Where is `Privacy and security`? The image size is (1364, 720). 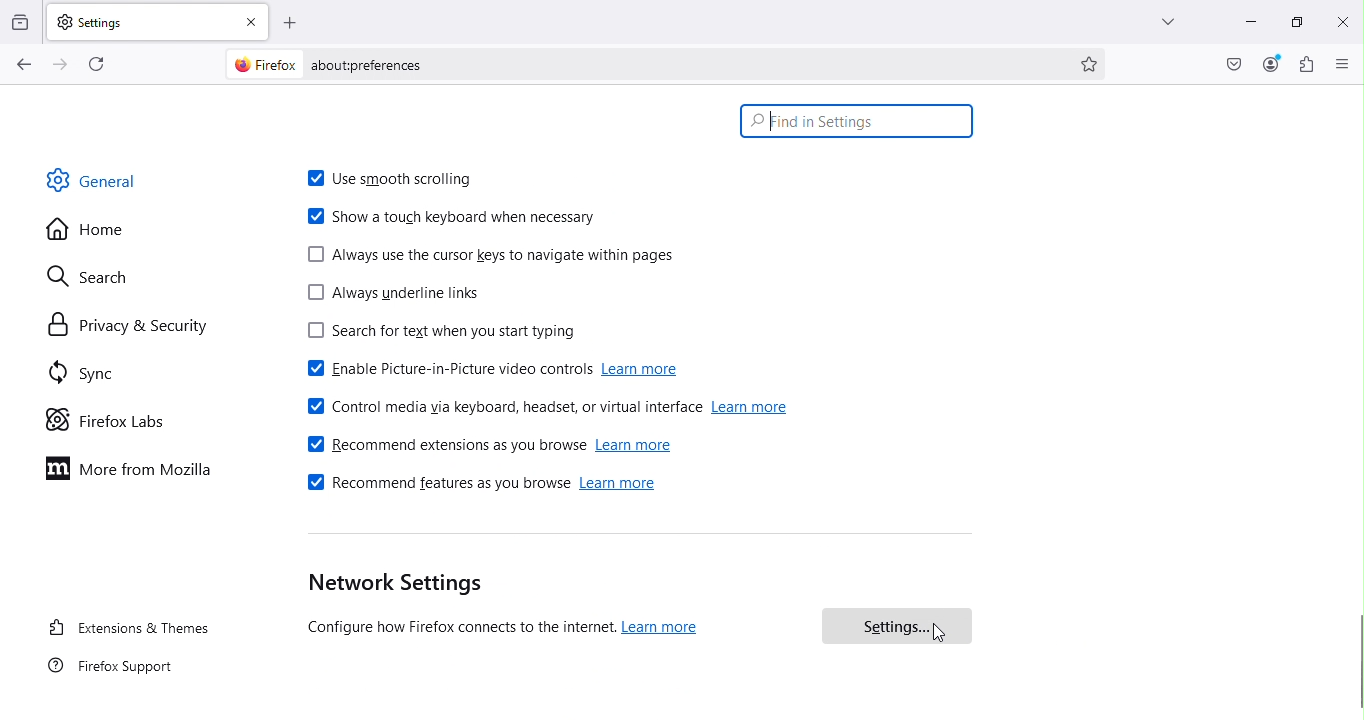 Privacy and security is located at coordinates (126, 325).